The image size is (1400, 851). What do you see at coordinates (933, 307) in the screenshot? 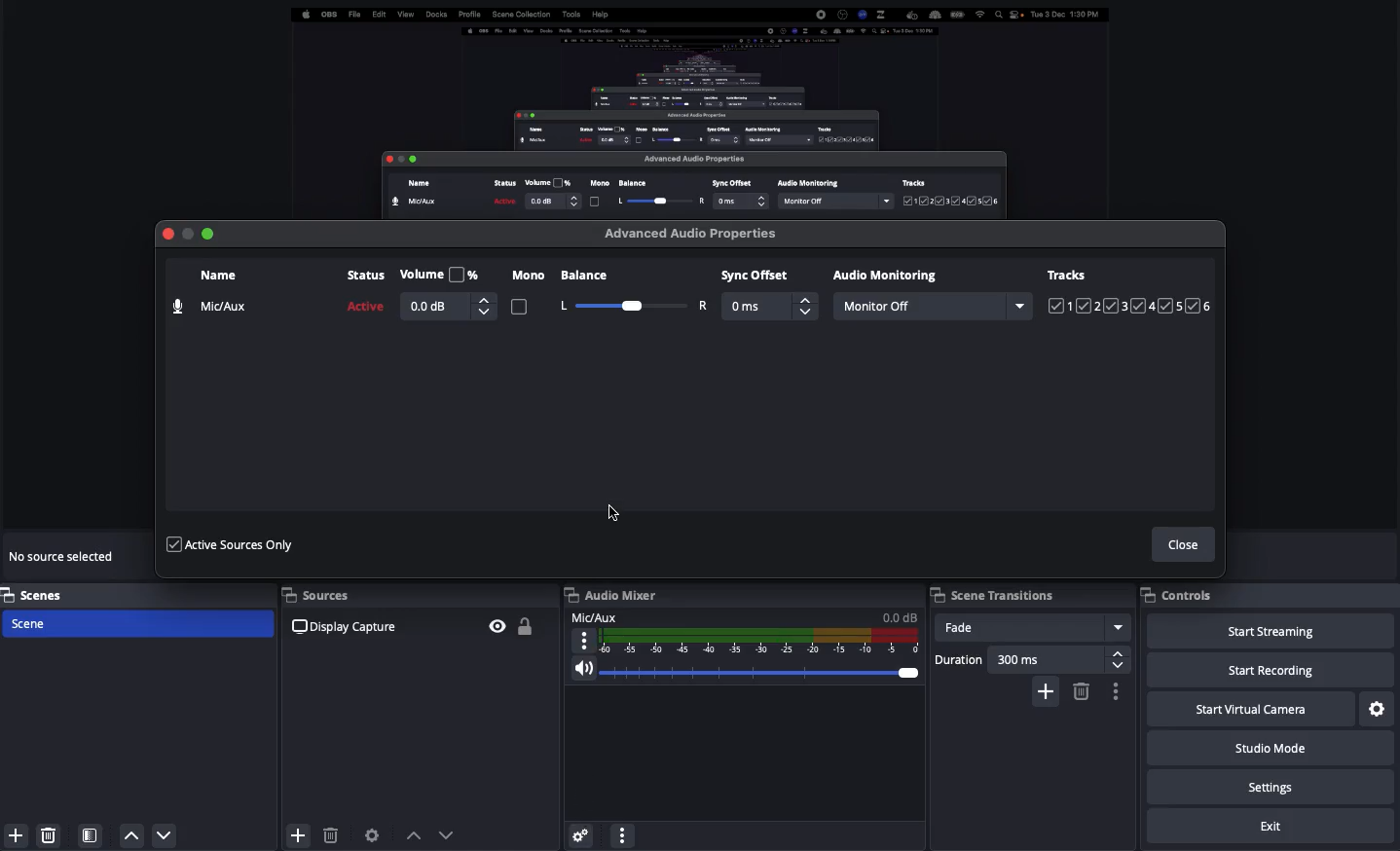
I see `Monitor off` at bounding box center [933, 307].